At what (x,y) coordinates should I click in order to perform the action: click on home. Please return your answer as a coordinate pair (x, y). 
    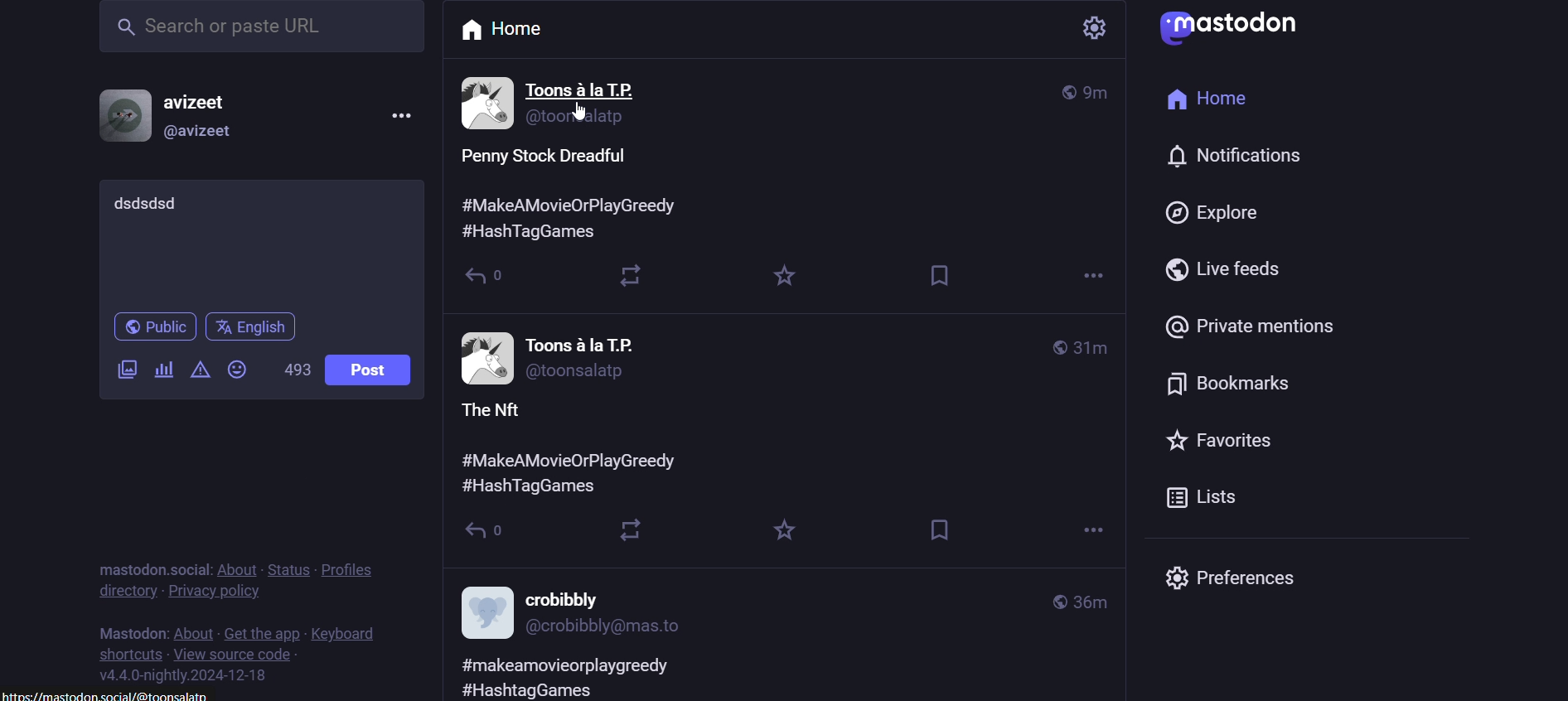
    Looking at the image, I should click on (1204, 98).